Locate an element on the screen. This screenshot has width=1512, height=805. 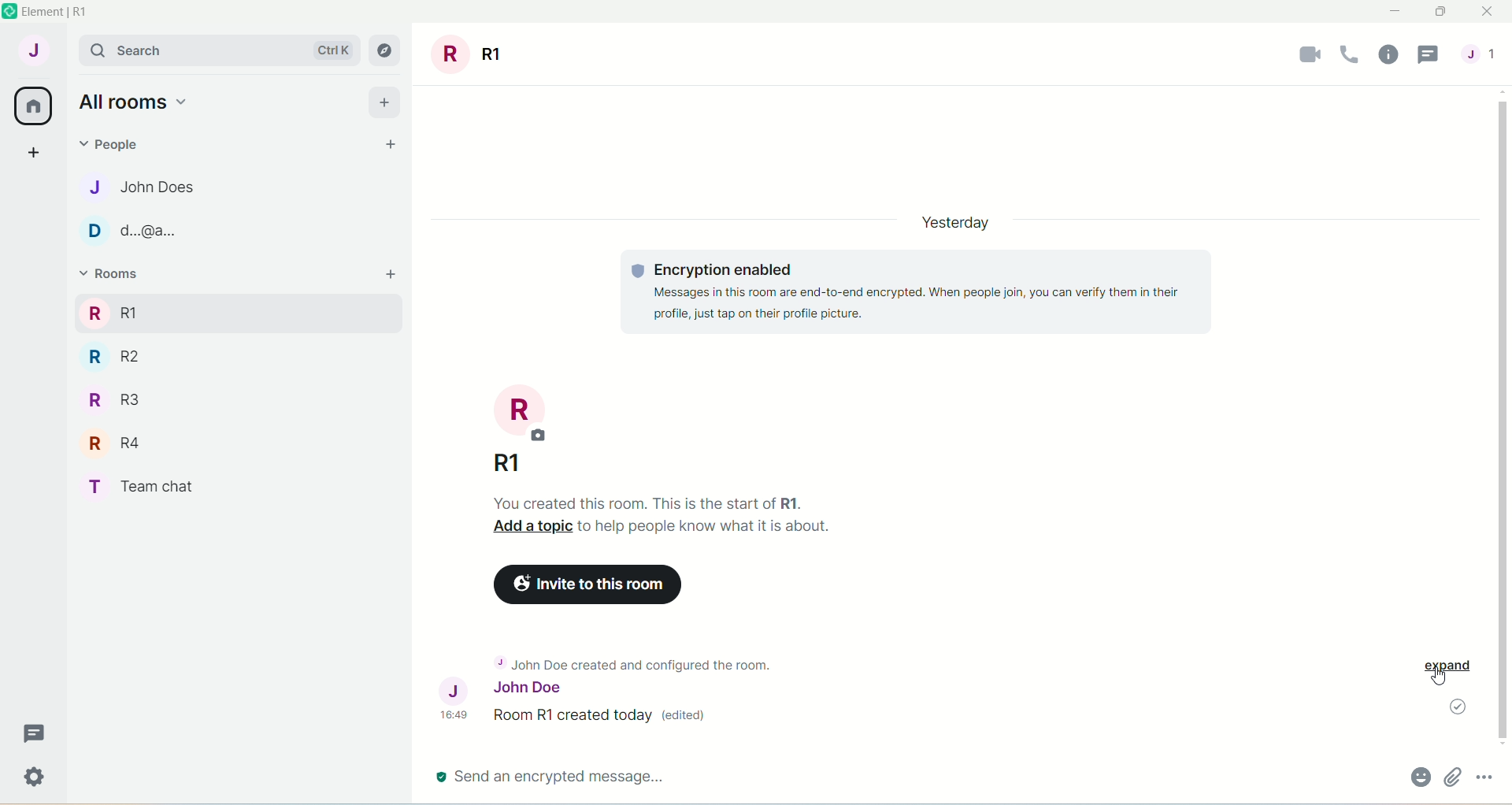
minimize is located at coordinates (1398, 12).